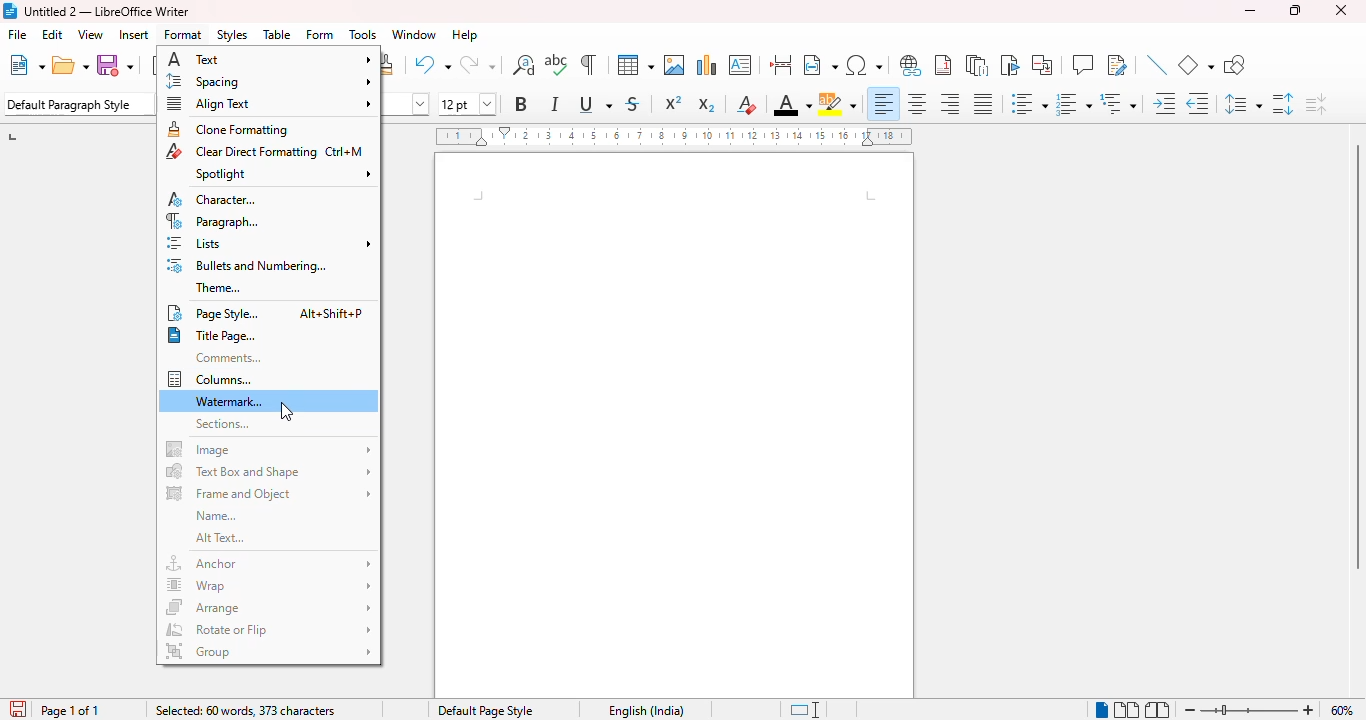  What do you see at coordinates (27, 65) in the screenshot?
I see `new` at bounding box center [27, 65].